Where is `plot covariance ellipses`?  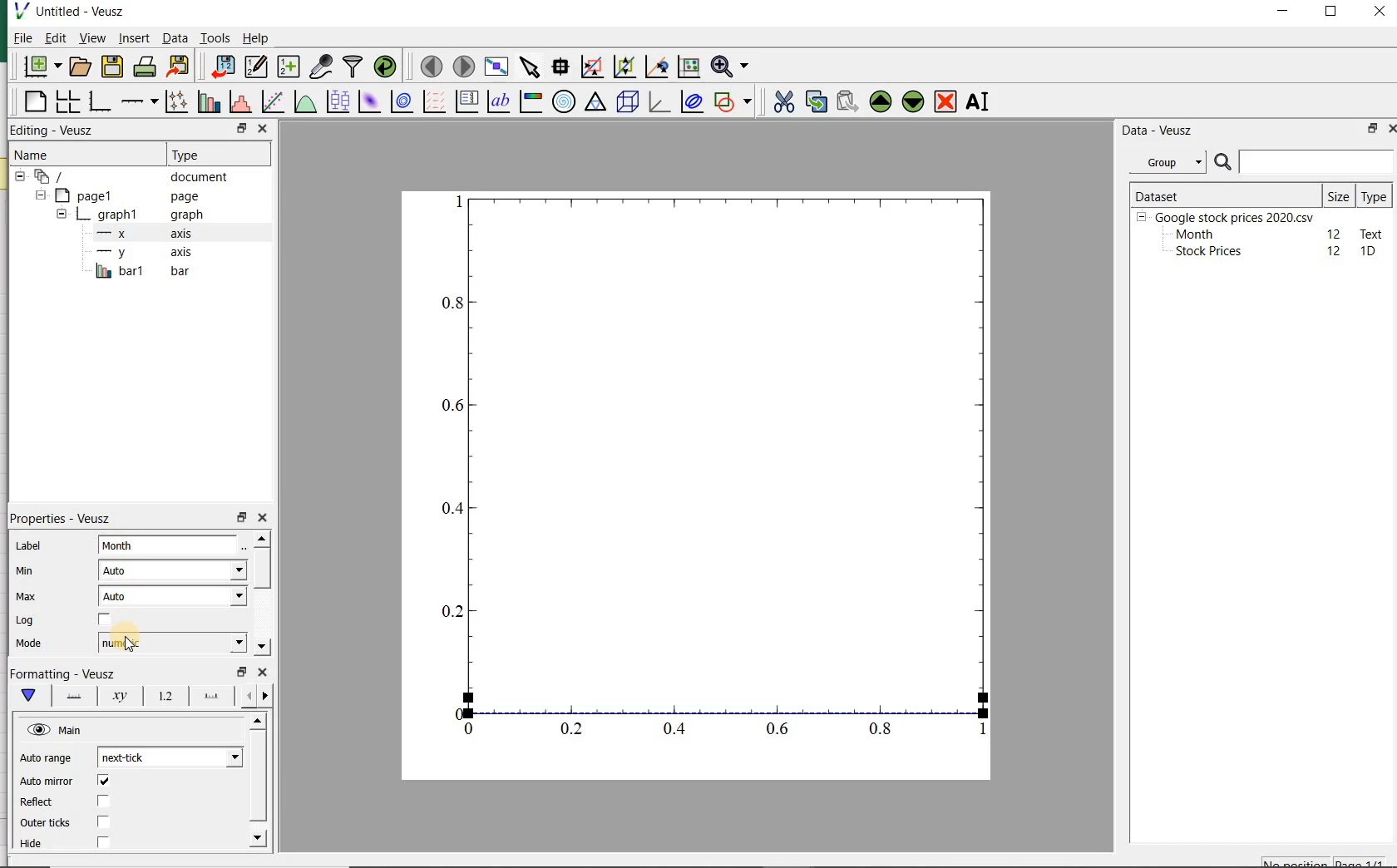 plot covariance ellipses is located at coordinates (692, 102).